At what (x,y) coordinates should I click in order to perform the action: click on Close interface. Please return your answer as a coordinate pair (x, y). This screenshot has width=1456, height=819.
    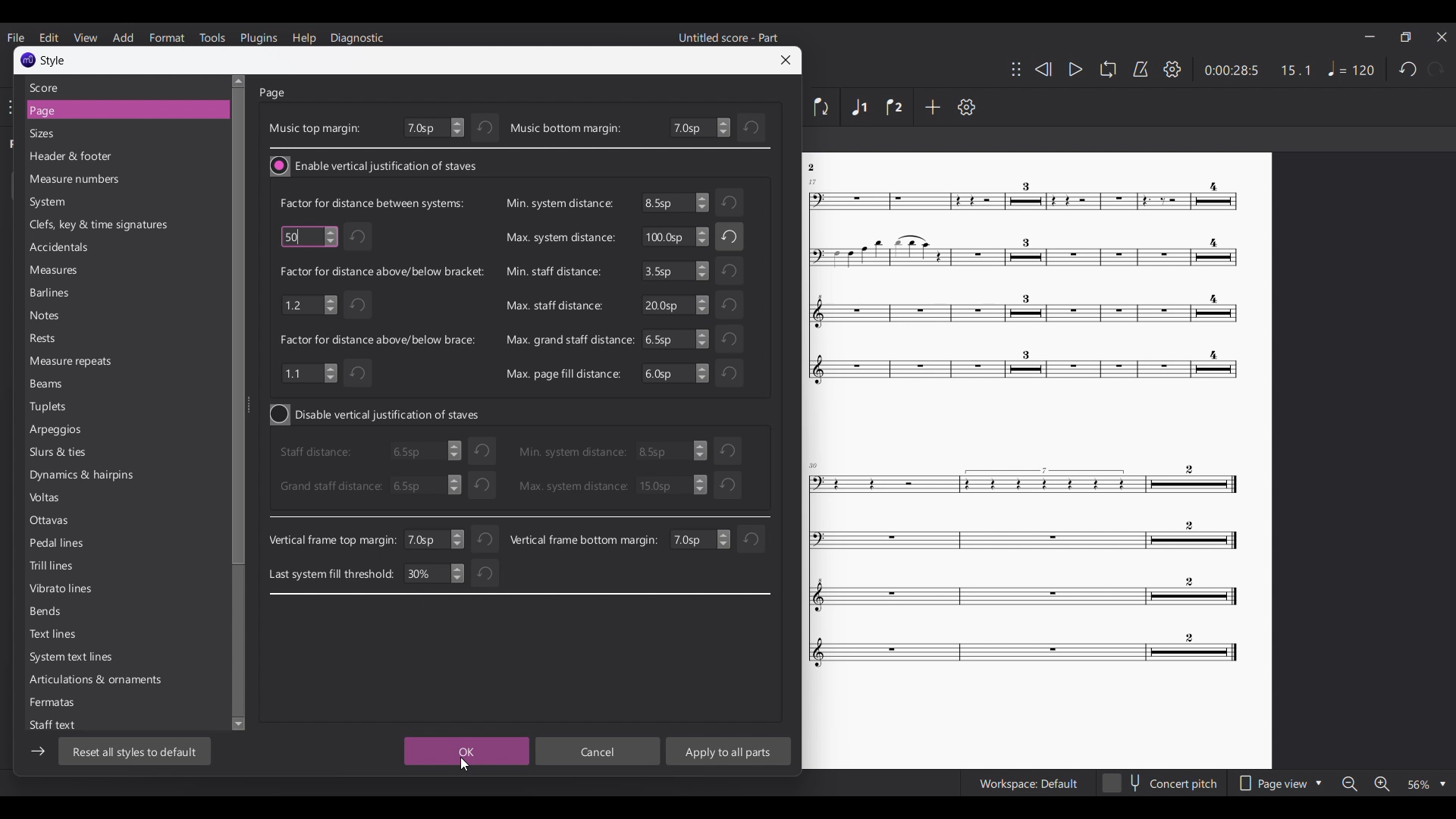
    Looking at the image, I should click on (1442, 36).